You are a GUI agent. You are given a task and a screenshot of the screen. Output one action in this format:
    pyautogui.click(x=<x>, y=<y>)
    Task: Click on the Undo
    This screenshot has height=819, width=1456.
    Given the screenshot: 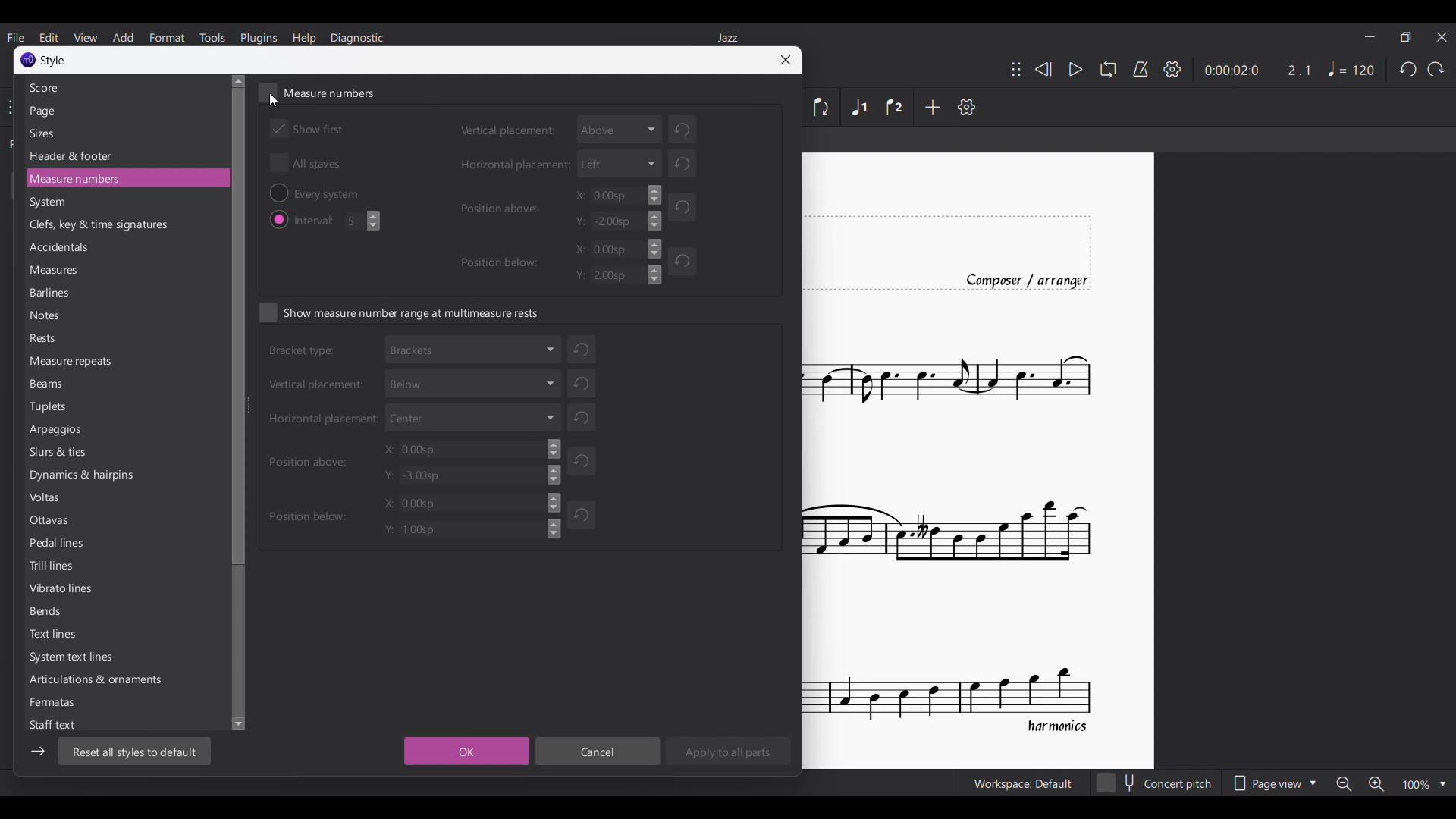 What is the action you would take?
    pyautogui.click(x=1407, y=69)
    